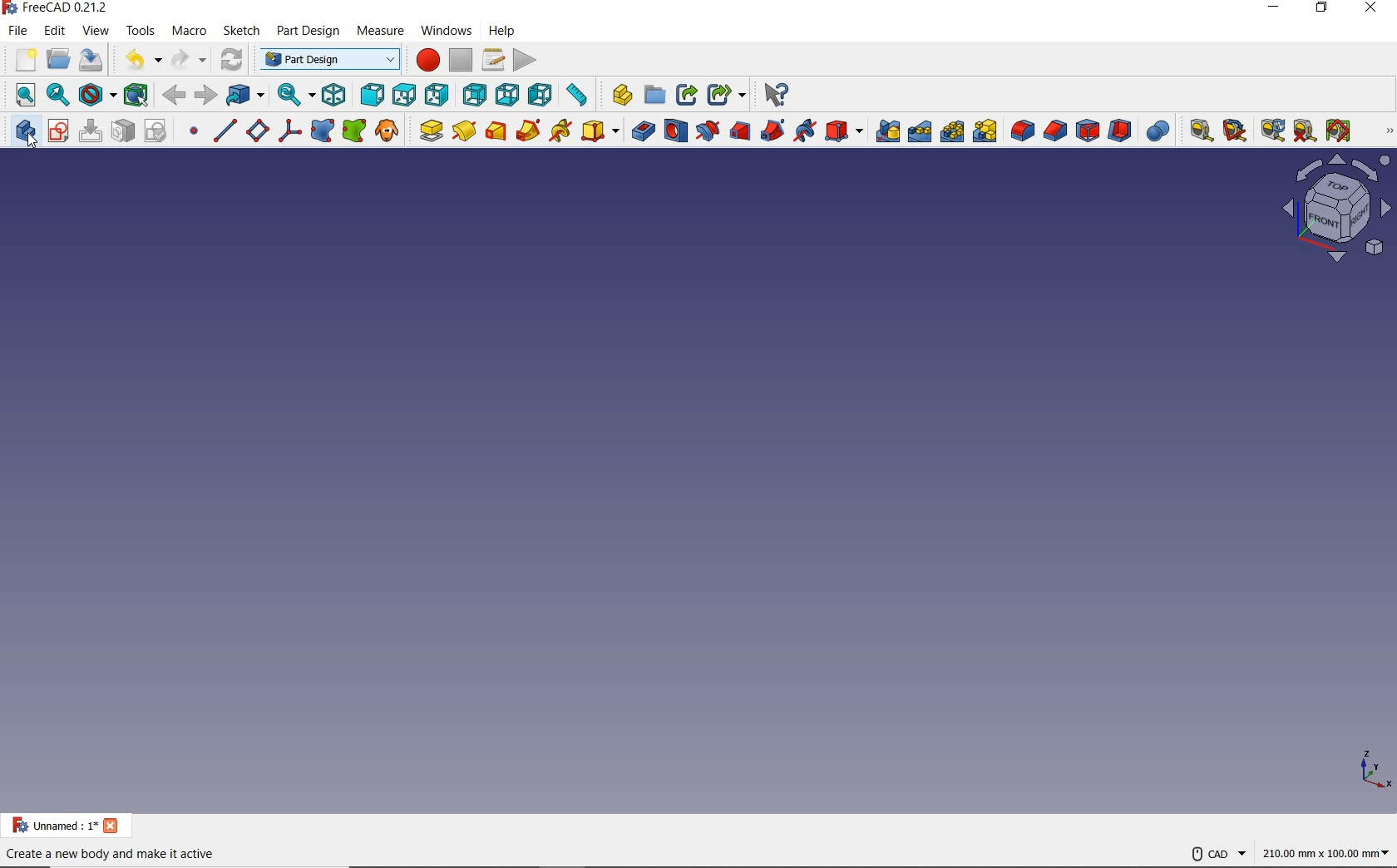 This screenshot has height=868, width=1397. I want to click on DRAFT, so click(1088, 129).